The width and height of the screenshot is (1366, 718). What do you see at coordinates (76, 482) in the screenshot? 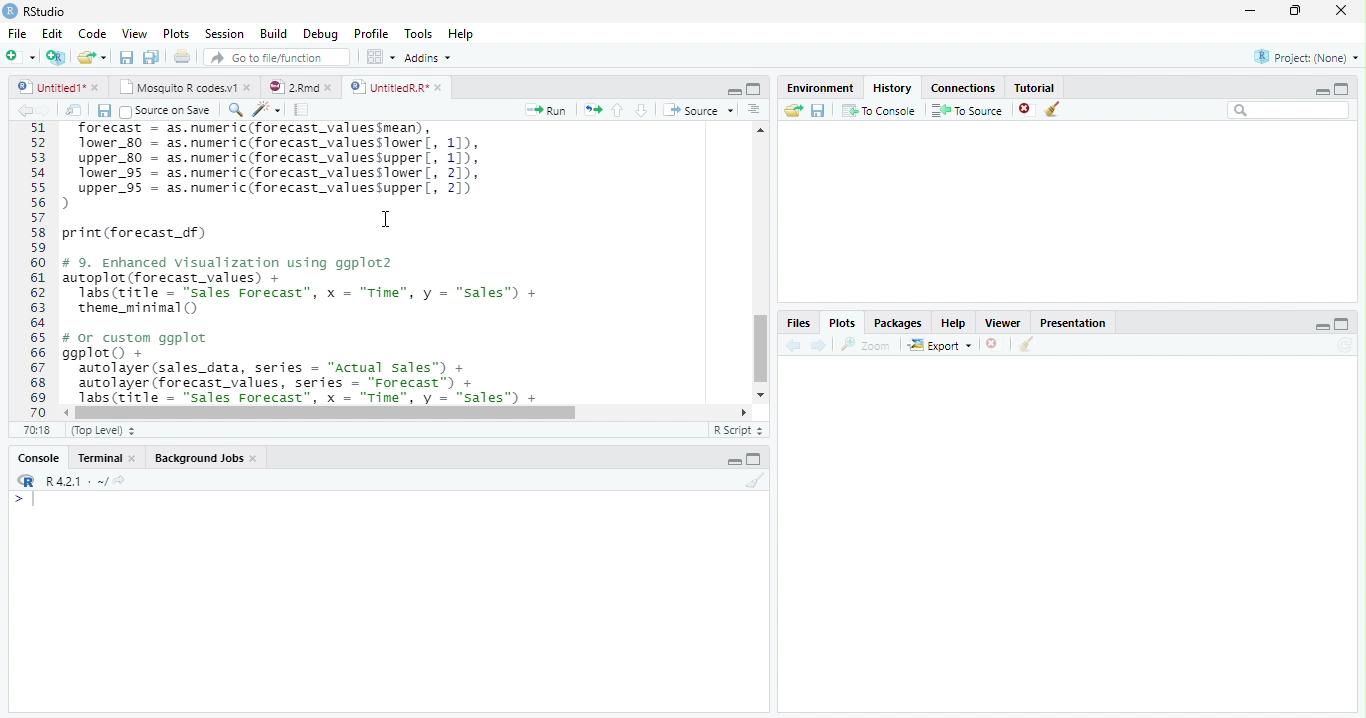
I see `R 4.2.1 . ~ /` at bounding box center [76, 482].